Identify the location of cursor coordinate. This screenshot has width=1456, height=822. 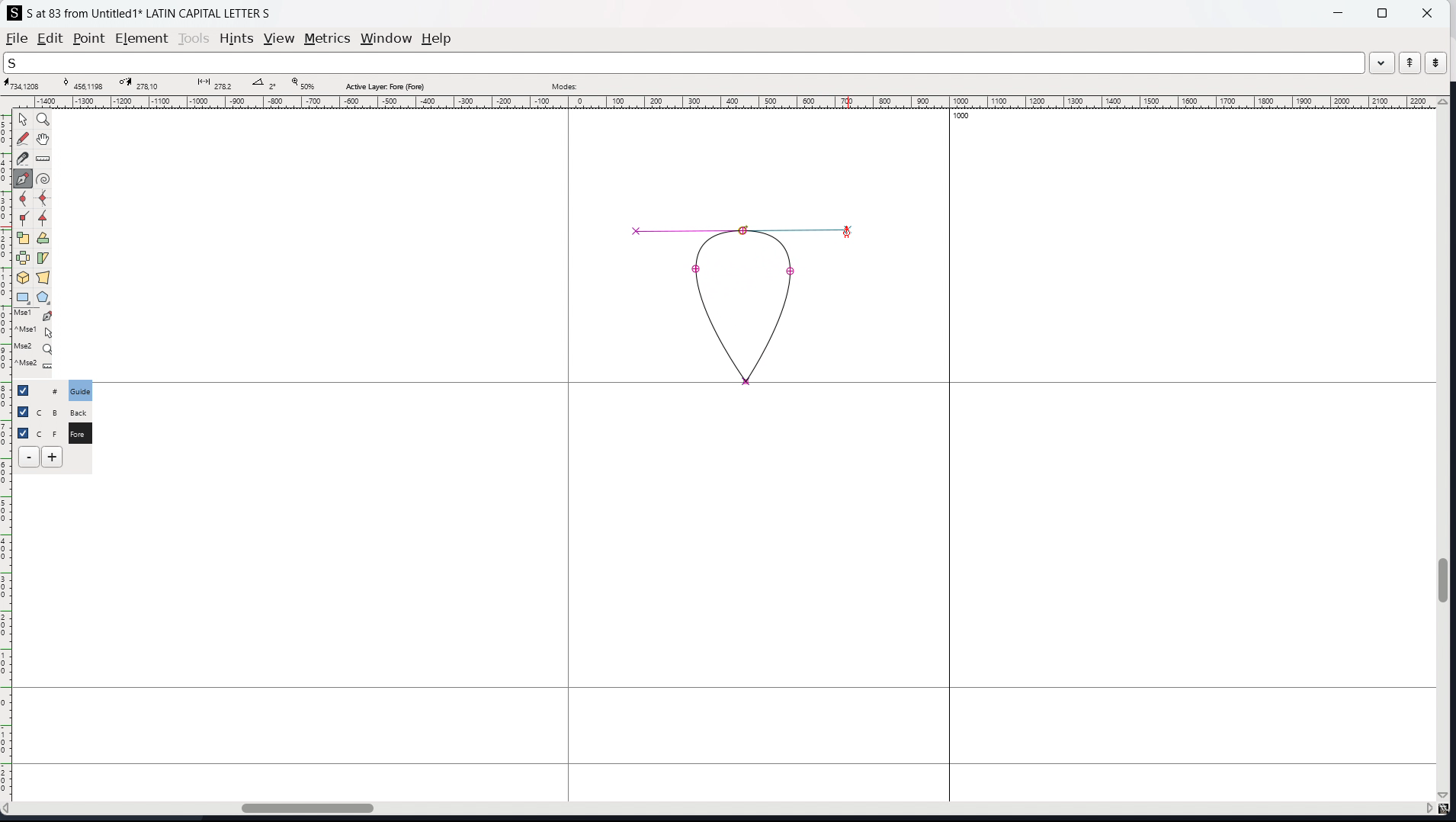
(25, 85).